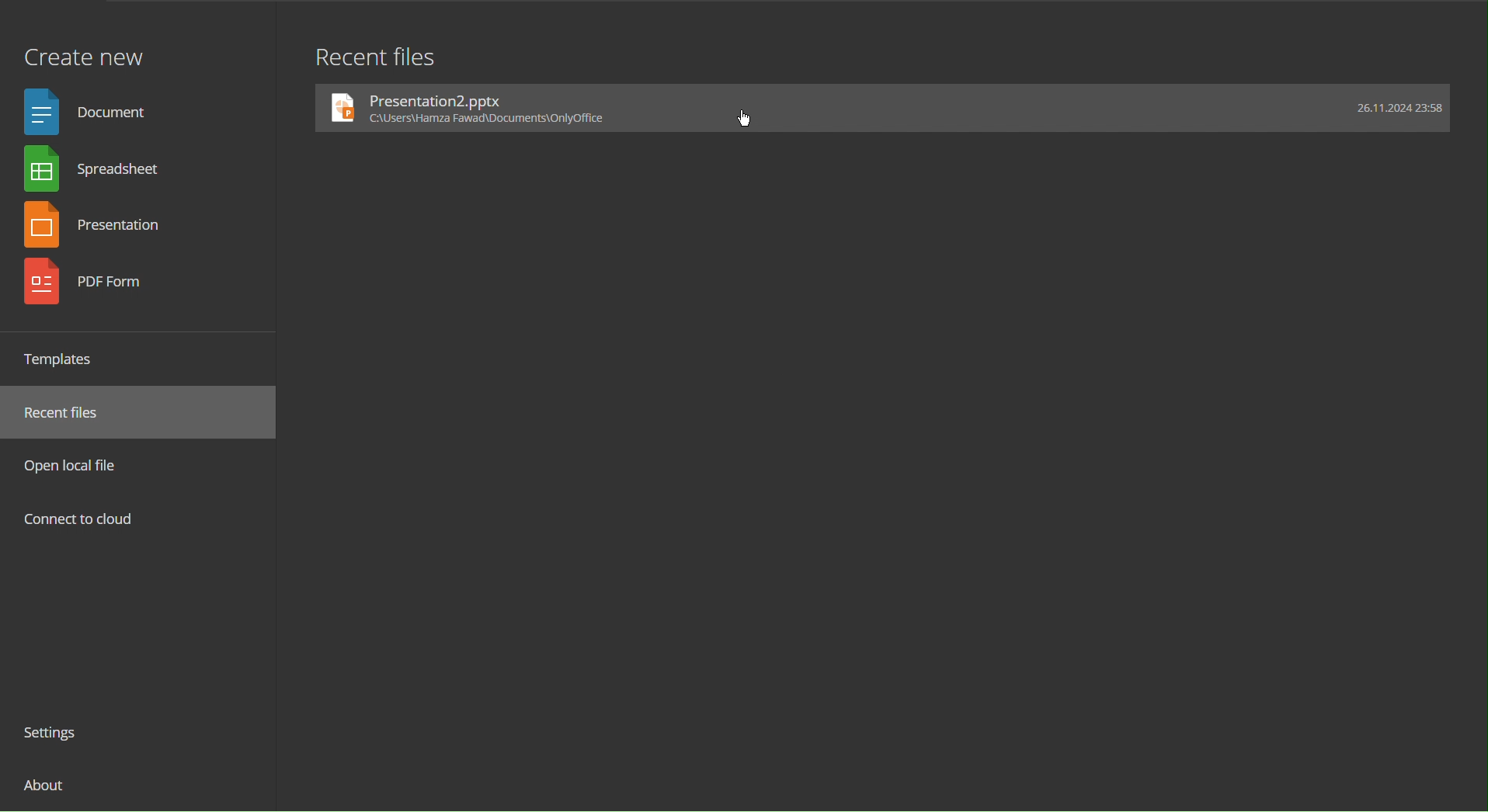  Describe the element at coordinates (65, 359) in the screenshot. I see `Templates` at that location.